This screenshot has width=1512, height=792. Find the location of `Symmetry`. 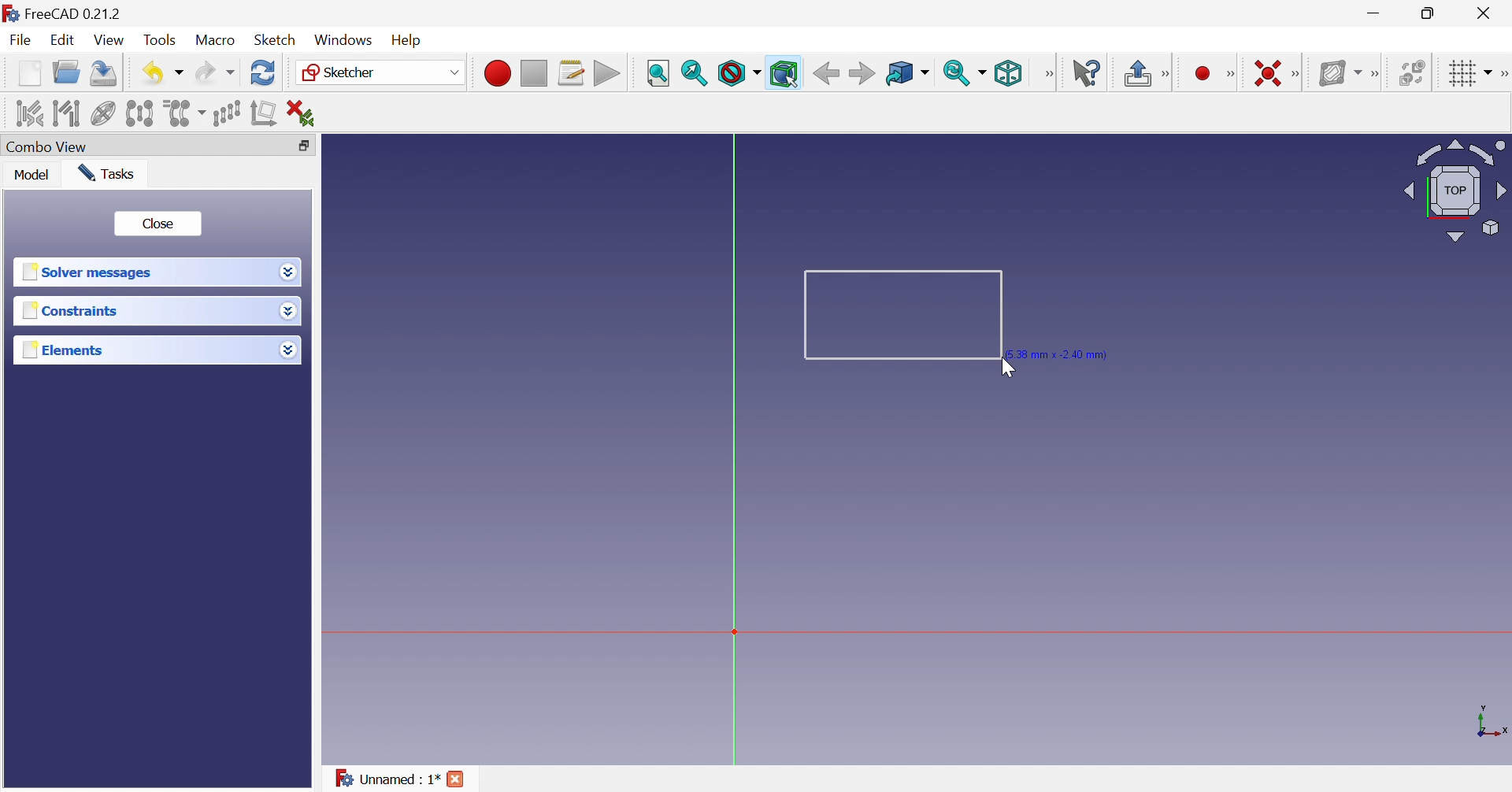

Symmetry is located at coordinates (140, 114).